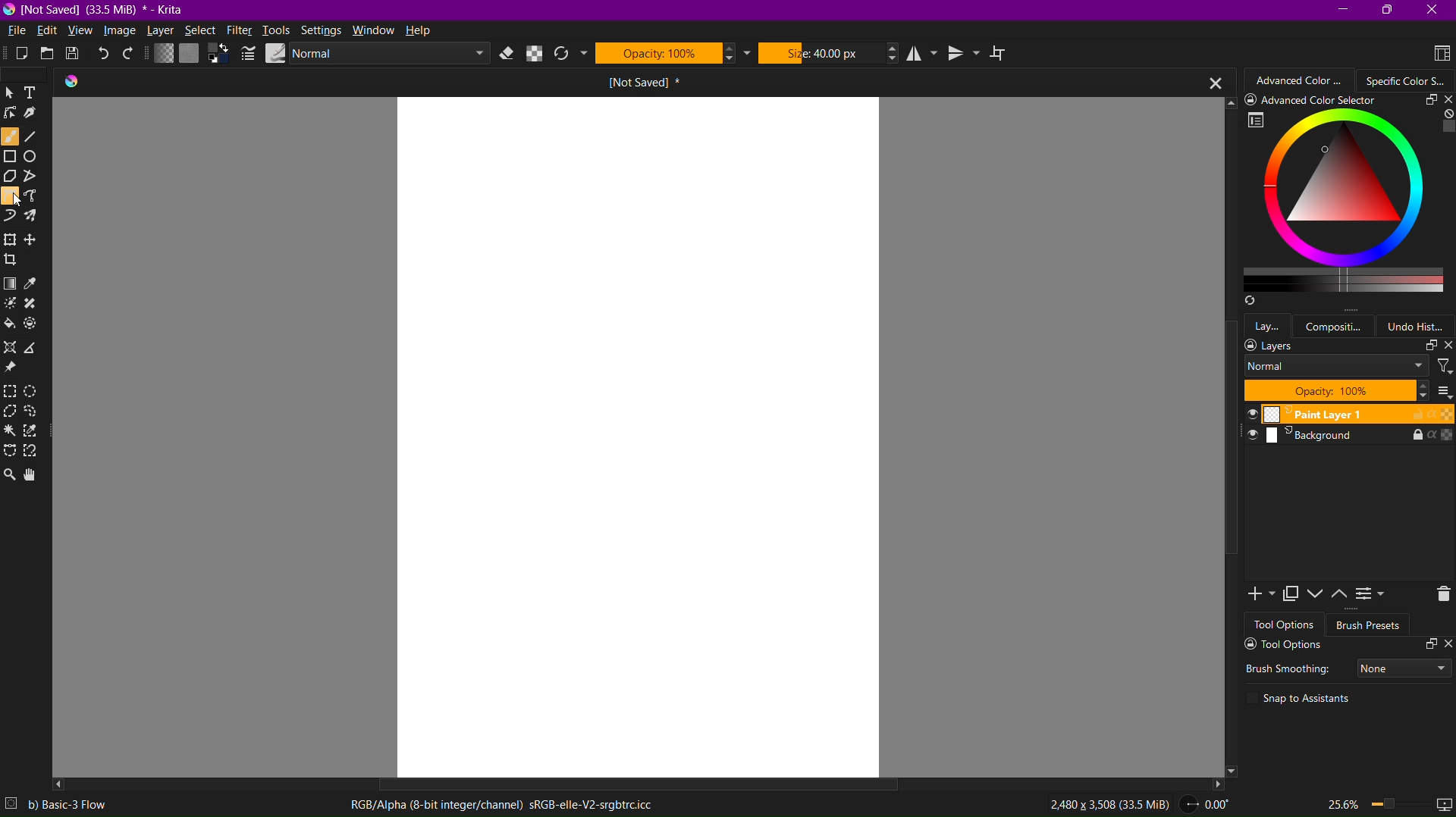 The image size is (1456, 817). I want to click on Reference Images Tool, so click(13, 369).